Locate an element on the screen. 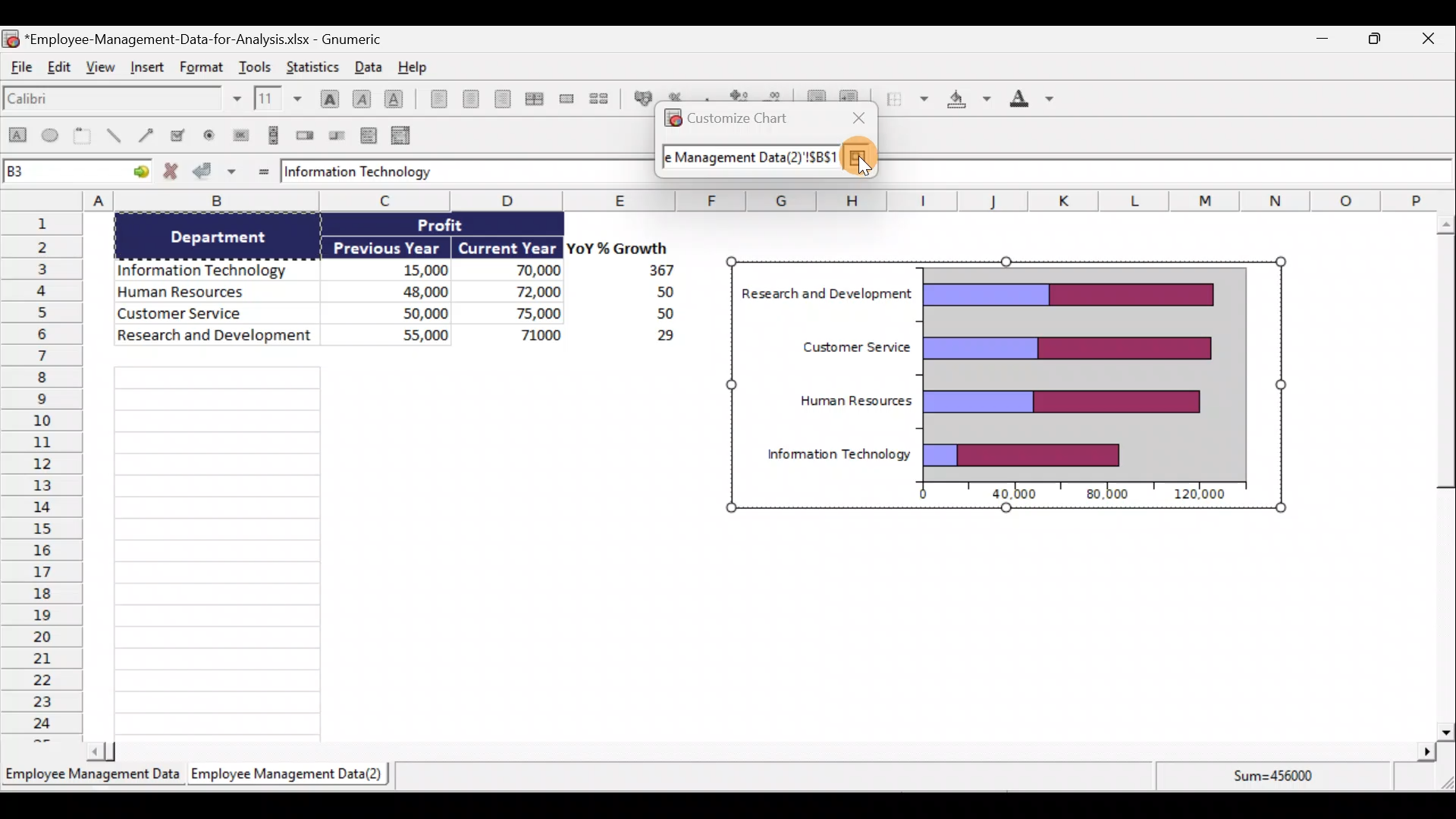  Create an ellipse object is located at coordinates (49, 134).